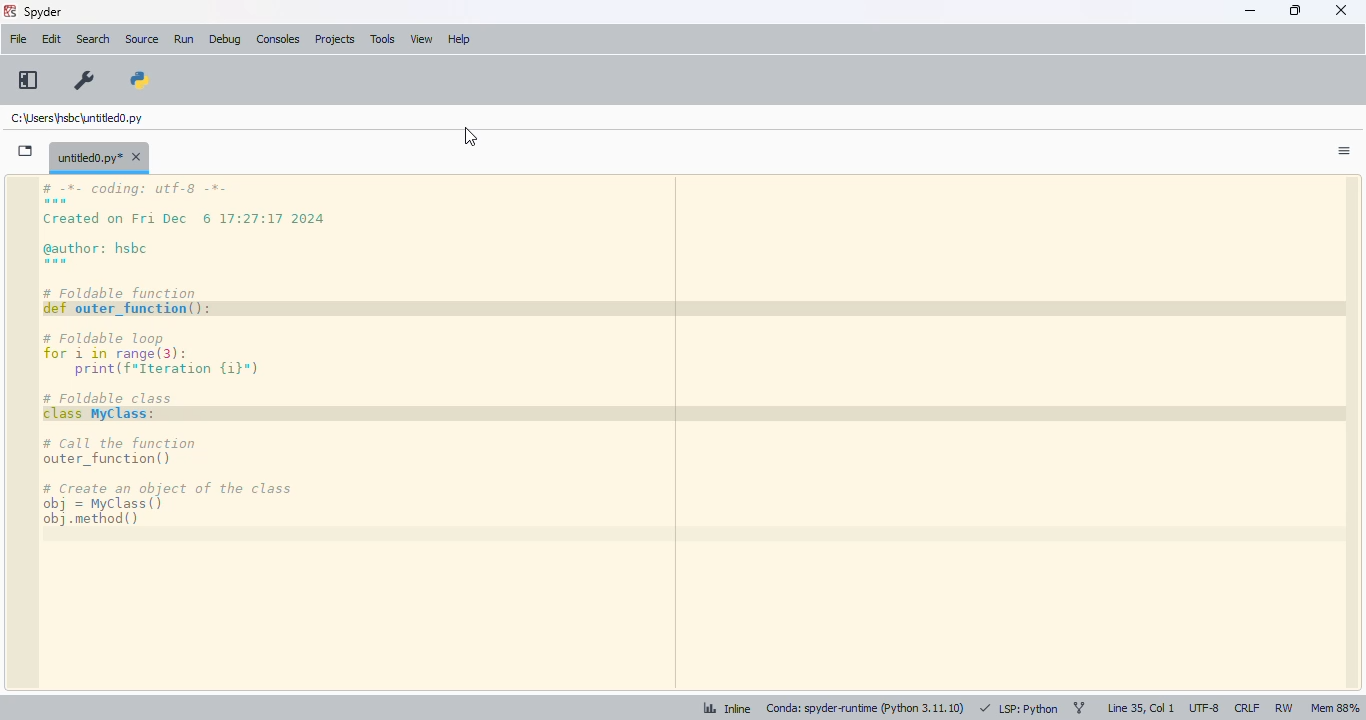 Image resolution: width=1366 pixels, height=720 pixels. What do you see at coordinates (142, 80) in the screenshot?
I see `PYTHONPATH manager` at bounding box center [142, 80].